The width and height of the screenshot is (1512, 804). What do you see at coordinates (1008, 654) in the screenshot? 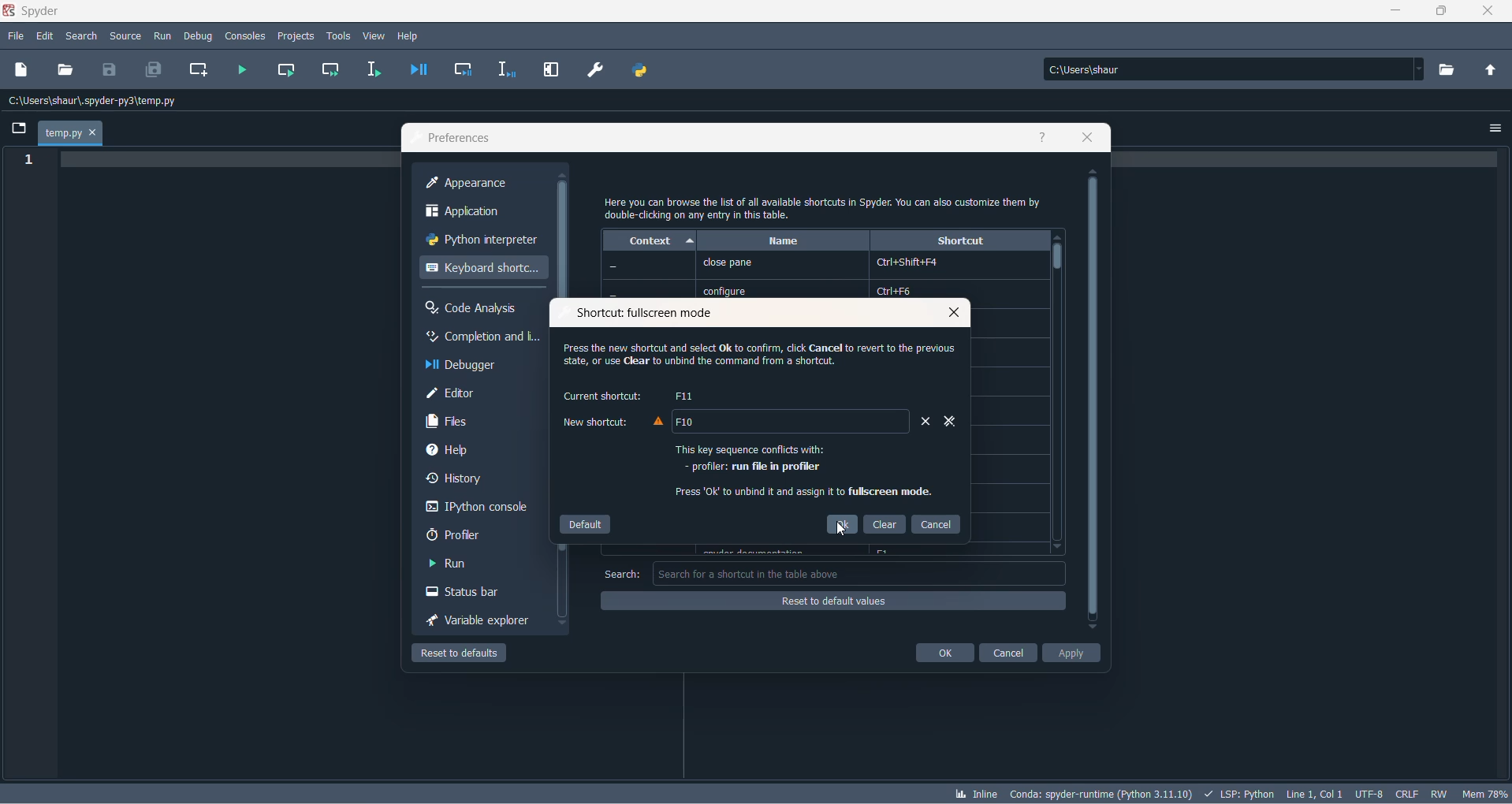
I see `cancel` at bounding box center [1008, 654].